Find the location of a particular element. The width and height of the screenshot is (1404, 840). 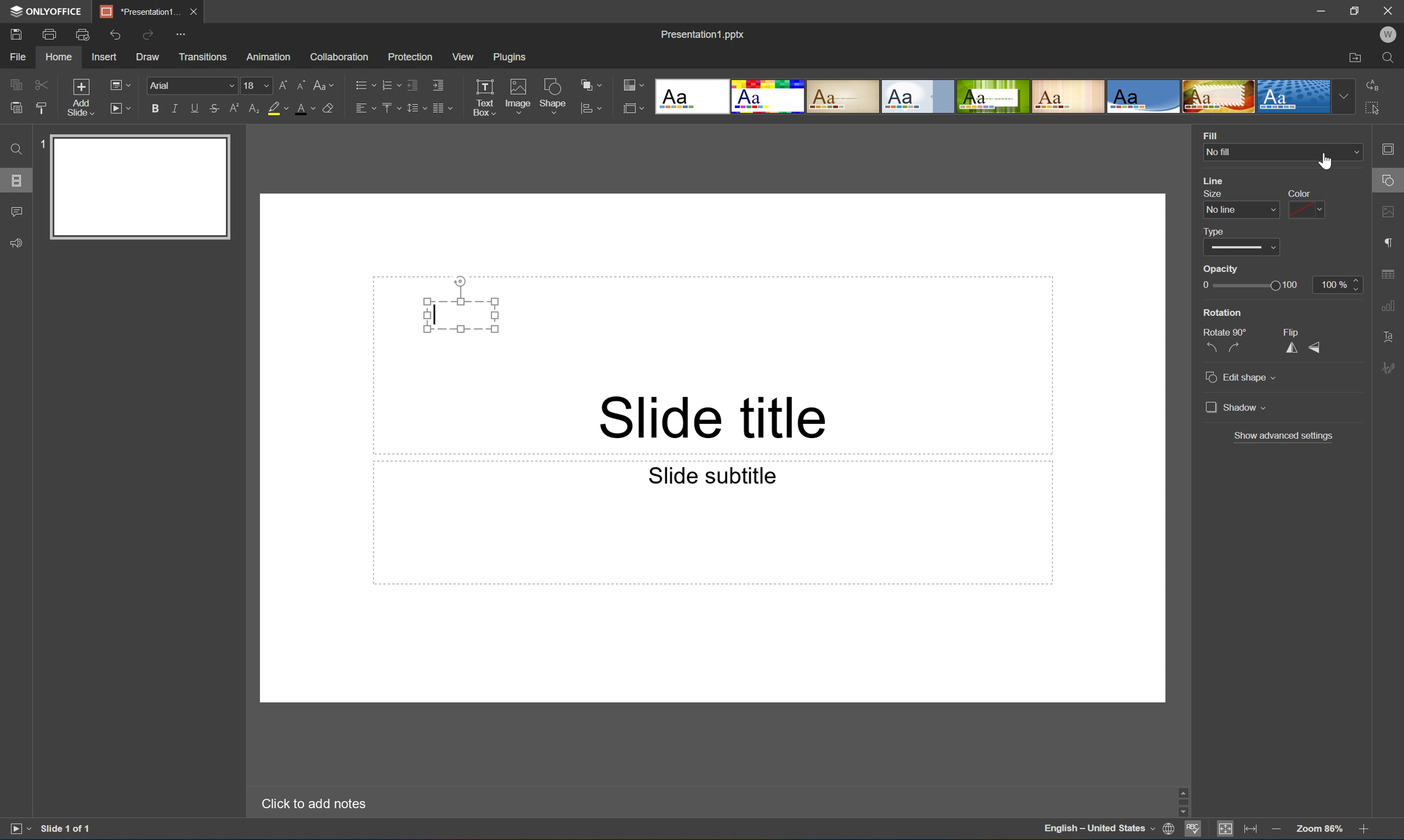

Decrement font size is located at coordinates (300, 83).